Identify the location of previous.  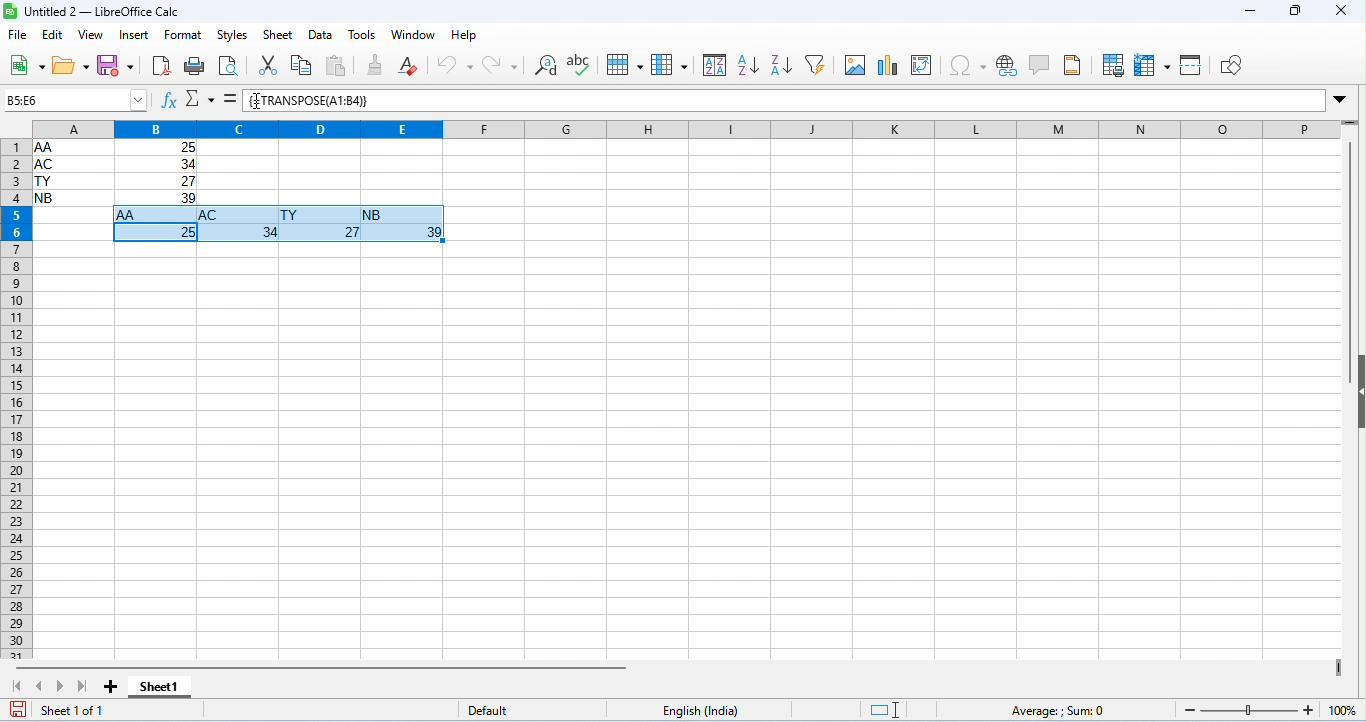
(43, 685).